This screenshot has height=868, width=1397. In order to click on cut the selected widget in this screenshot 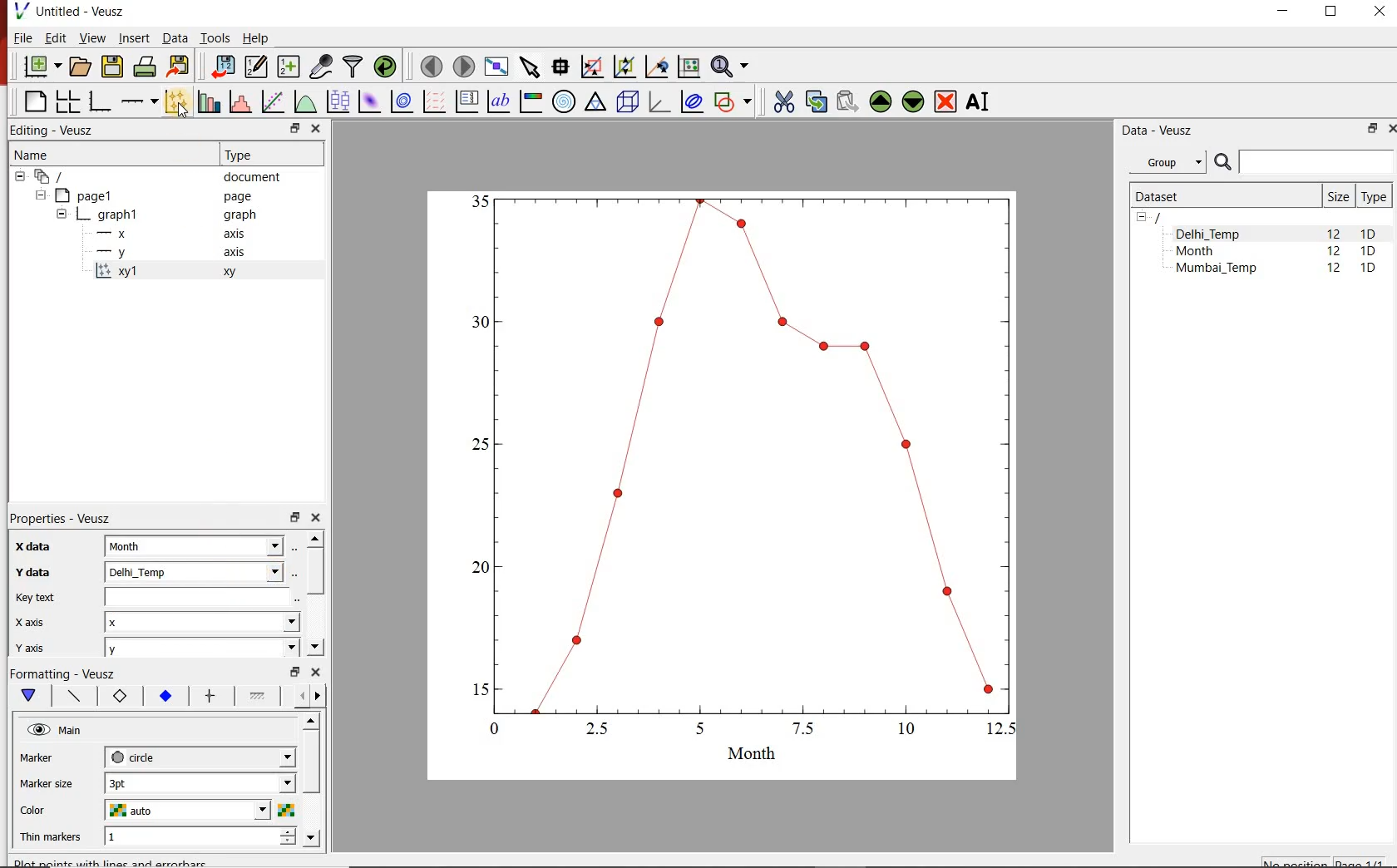, I will do `click(783, 101)`.